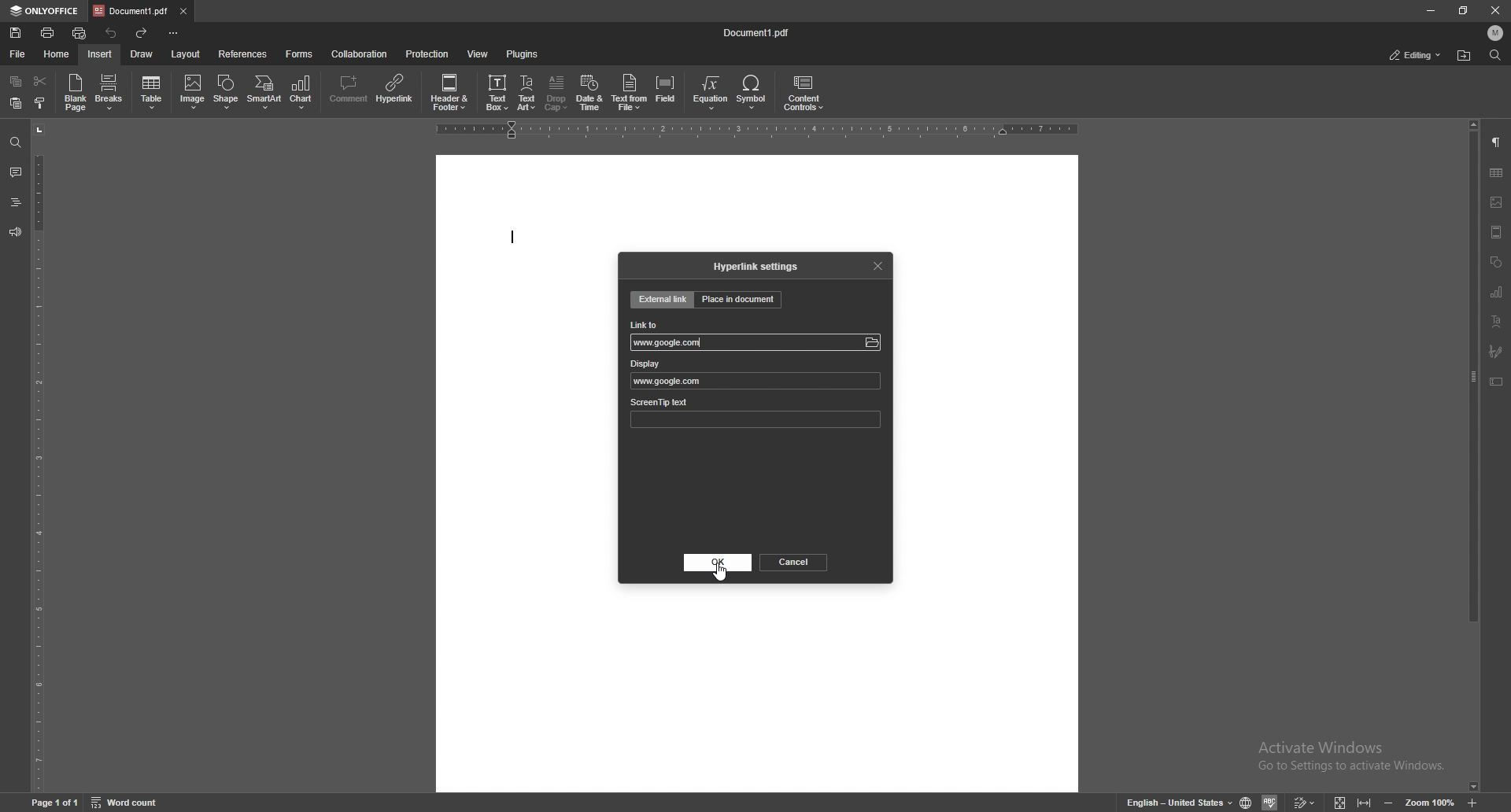 Image resolution: width=1511 pixels, height=812 pixels. I want to click on change doc language, so click(1247, 801).